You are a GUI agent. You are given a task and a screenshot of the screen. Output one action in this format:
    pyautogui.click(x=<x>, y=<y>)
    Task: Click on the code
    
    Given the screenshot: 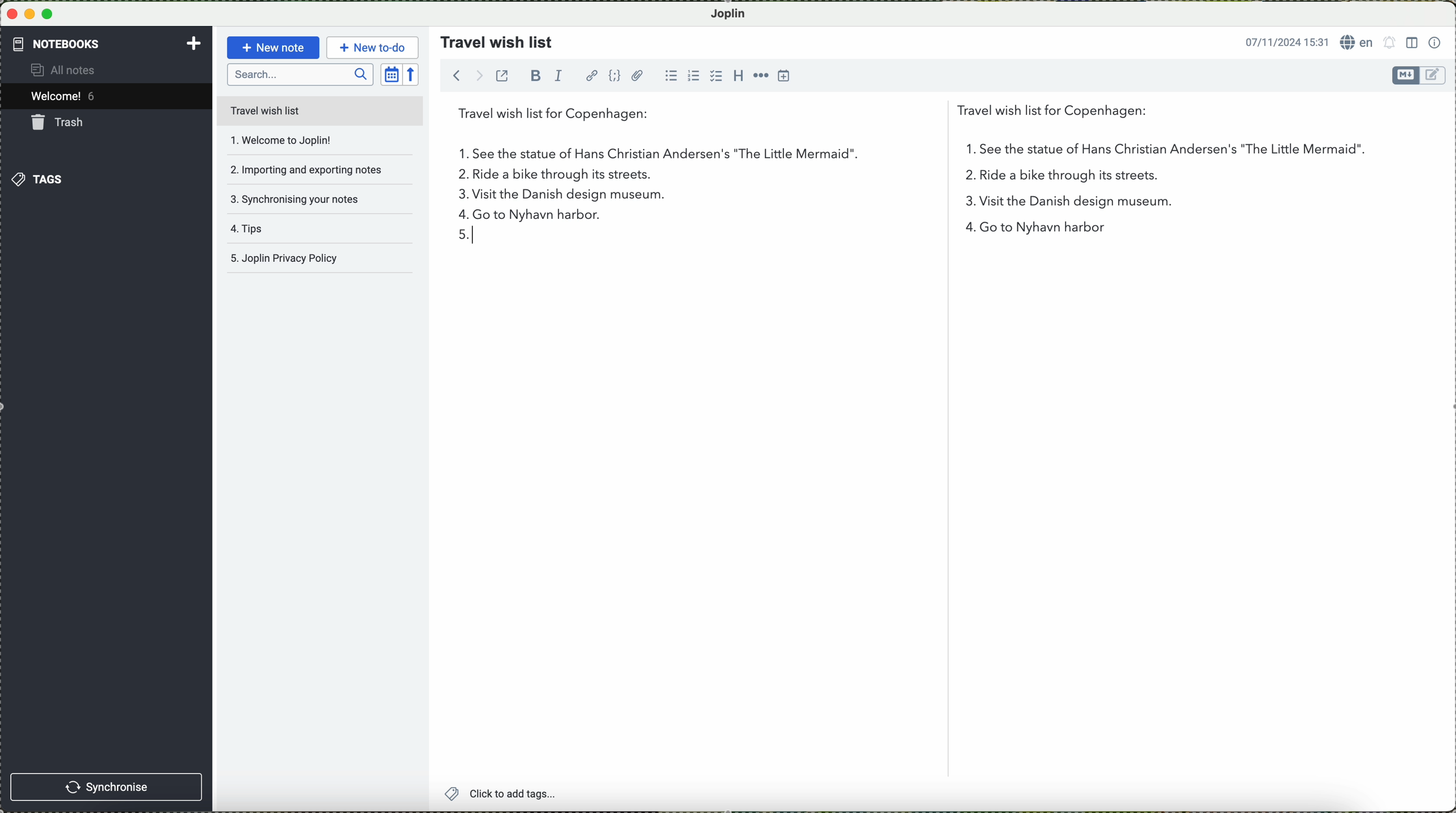 What is the action you would take?
    pyautogui.click(x=616, y=76)
    